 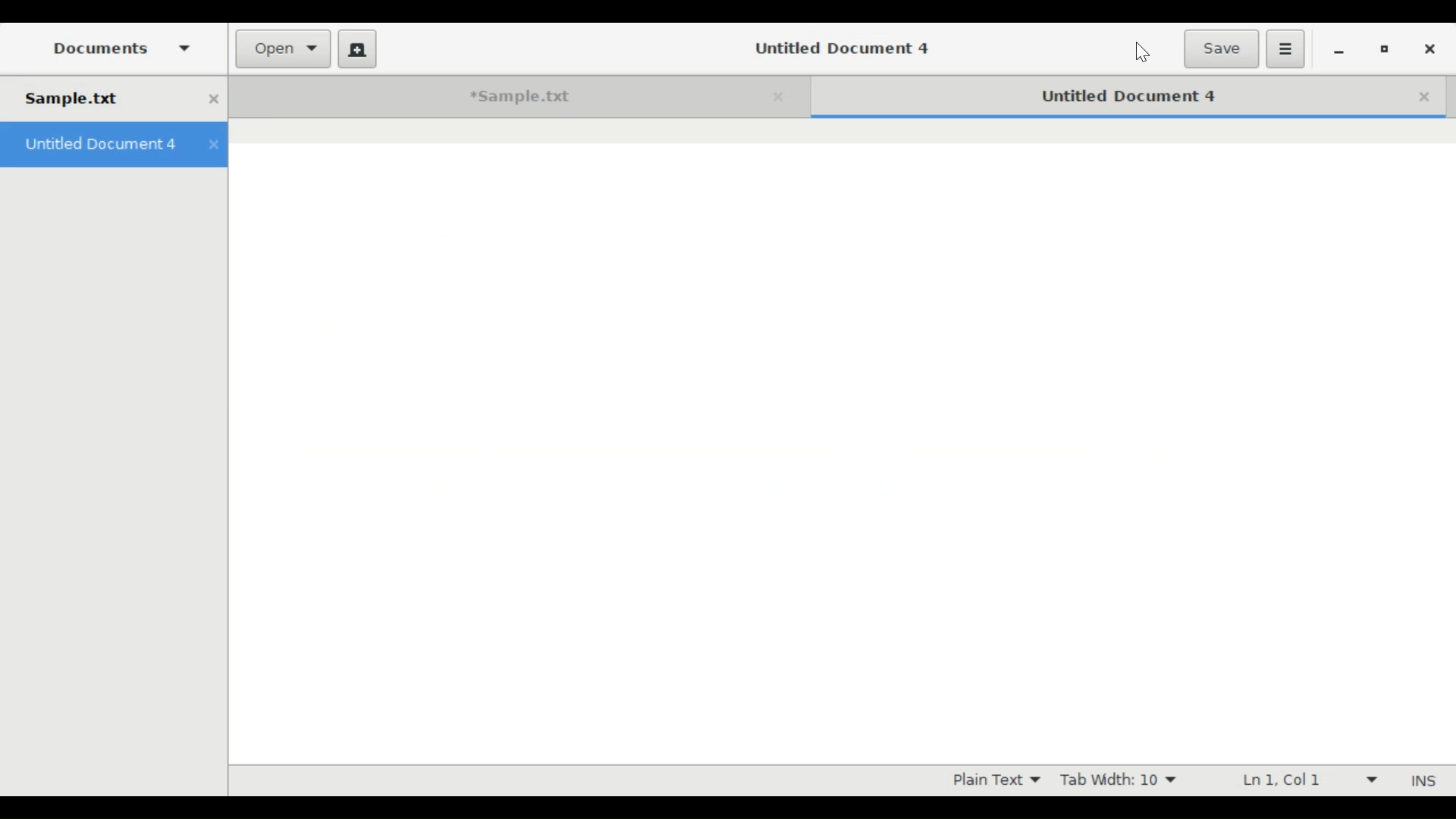 What do you see at coordinates (99, 147) in the screenshot?
I see `Untitled Document 4` at bounding box center [99, 147].